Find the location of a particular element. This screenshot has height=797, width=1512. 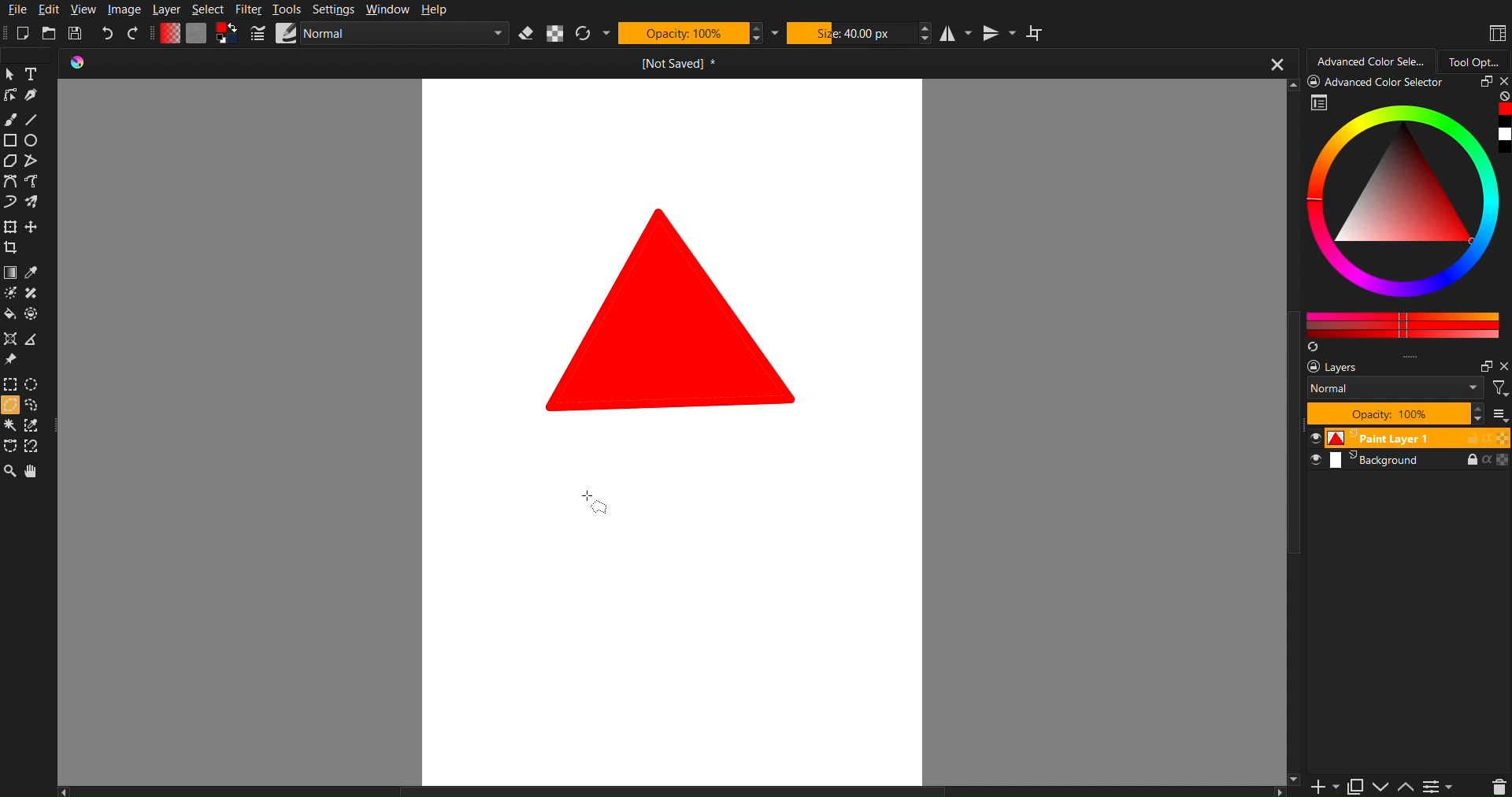

Square is located at coordinates (9, 228).